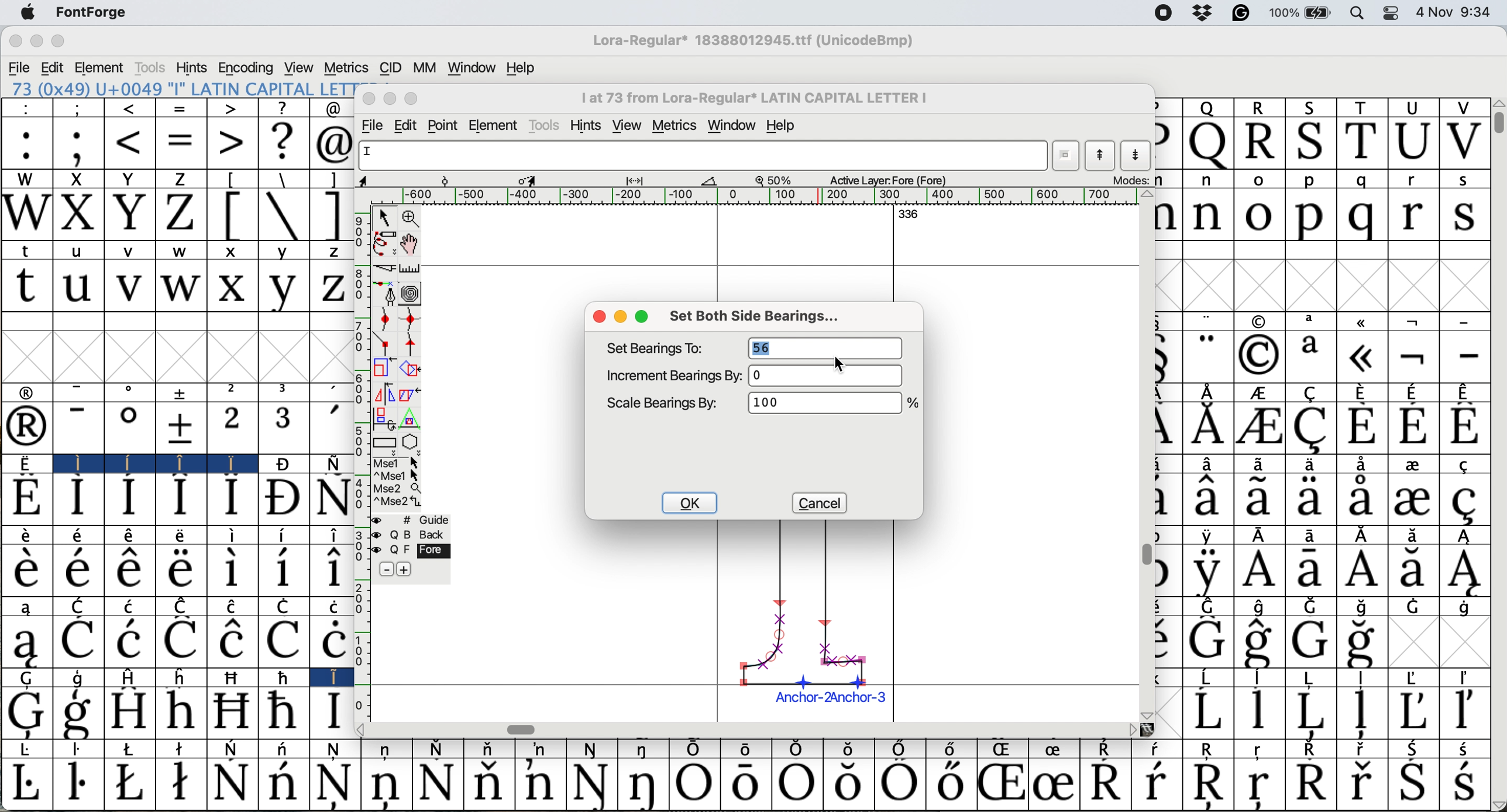  I want to click on active layers, so click(891, 178).